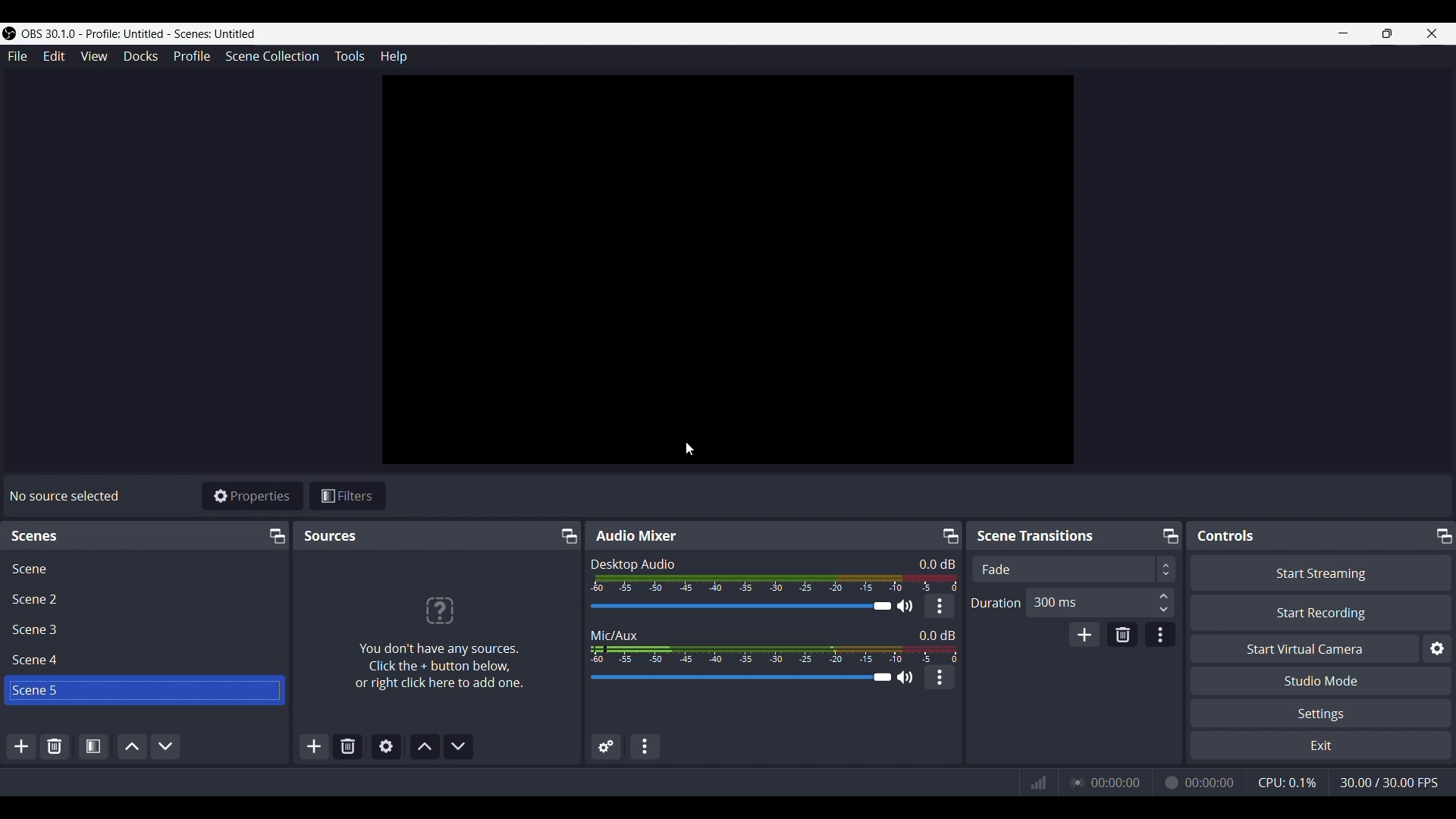 Image resolution: width=1456 pixels, height=819 pixels. I want to click on 300 ms, so click(1103, 603).